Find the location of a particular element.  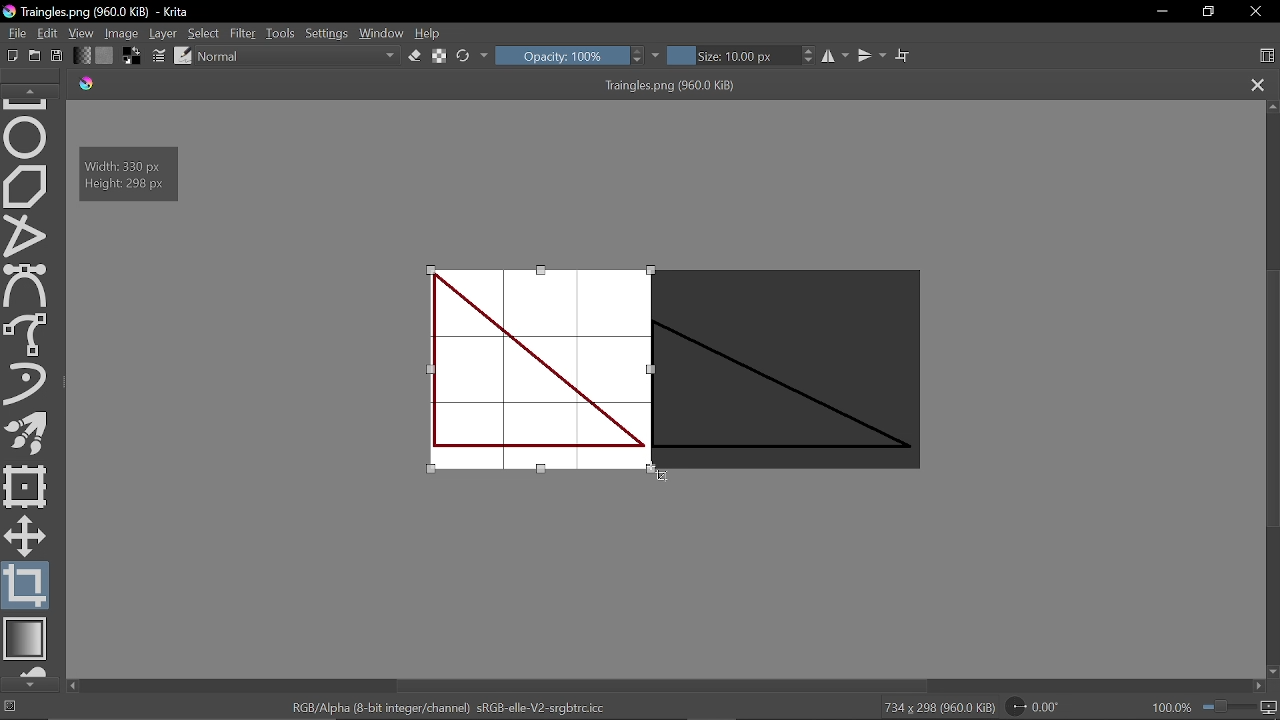

Fill pattern is located at coordinates (105, 56).